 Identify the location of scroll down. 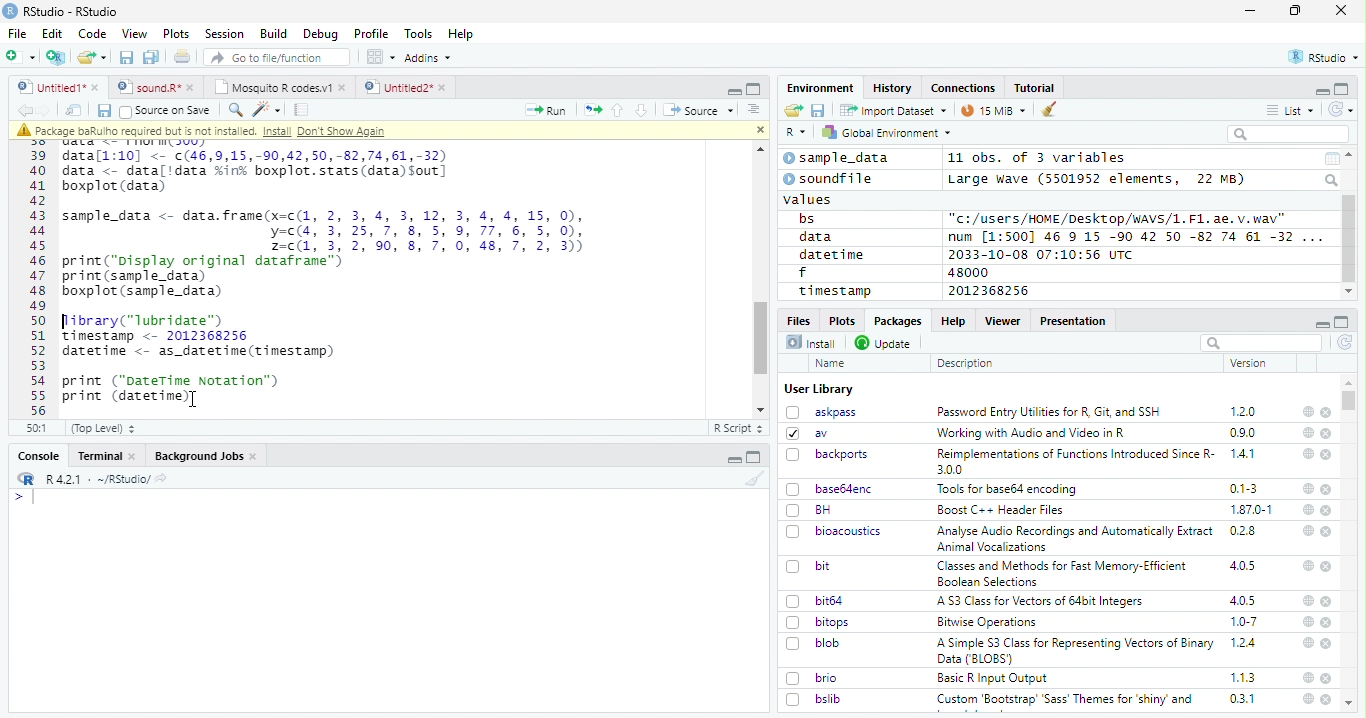
(762, 410).